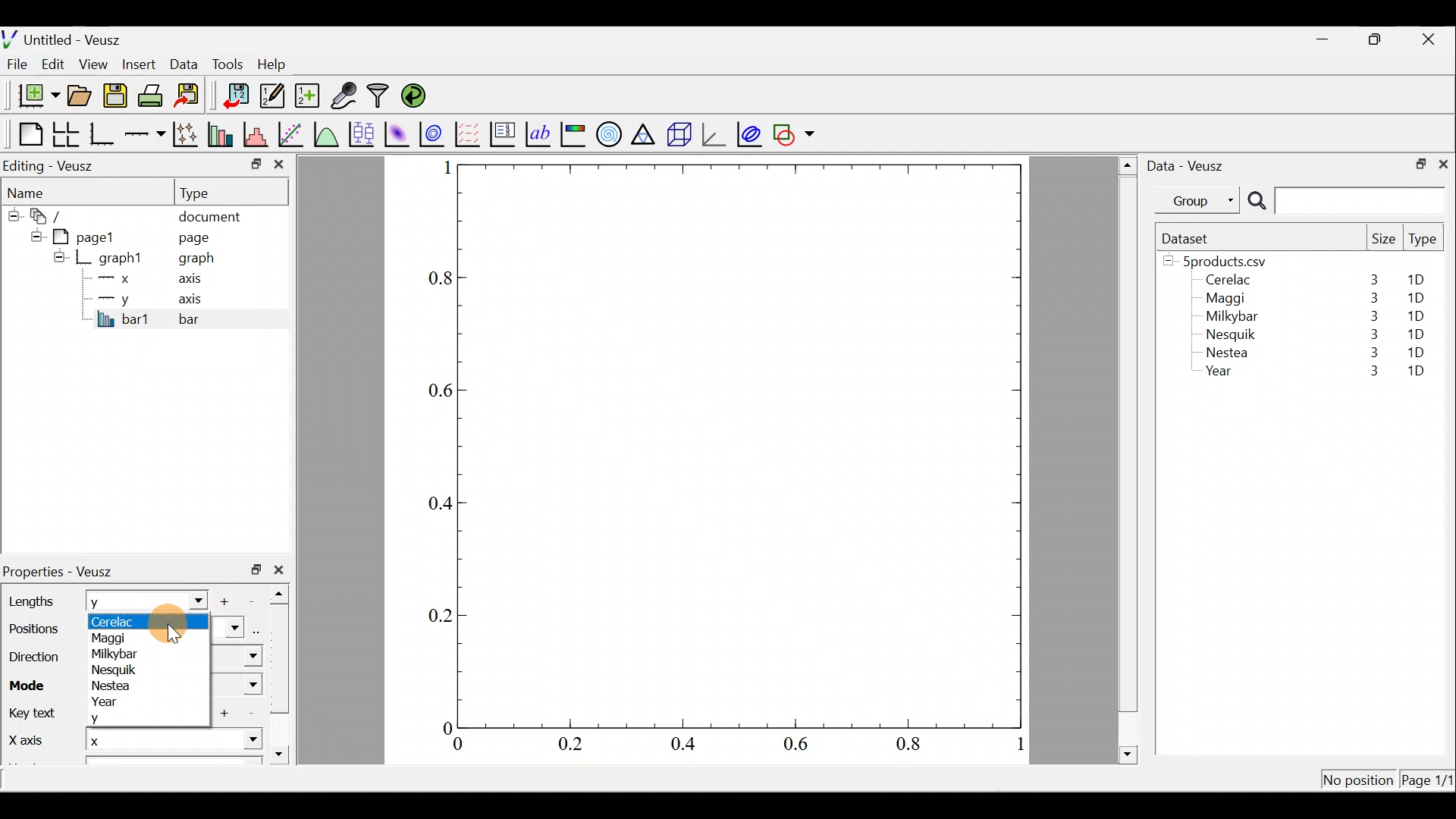 The width and height of the screenshot is (1456, 819). I want to click on 0.6, so click(802, 748).